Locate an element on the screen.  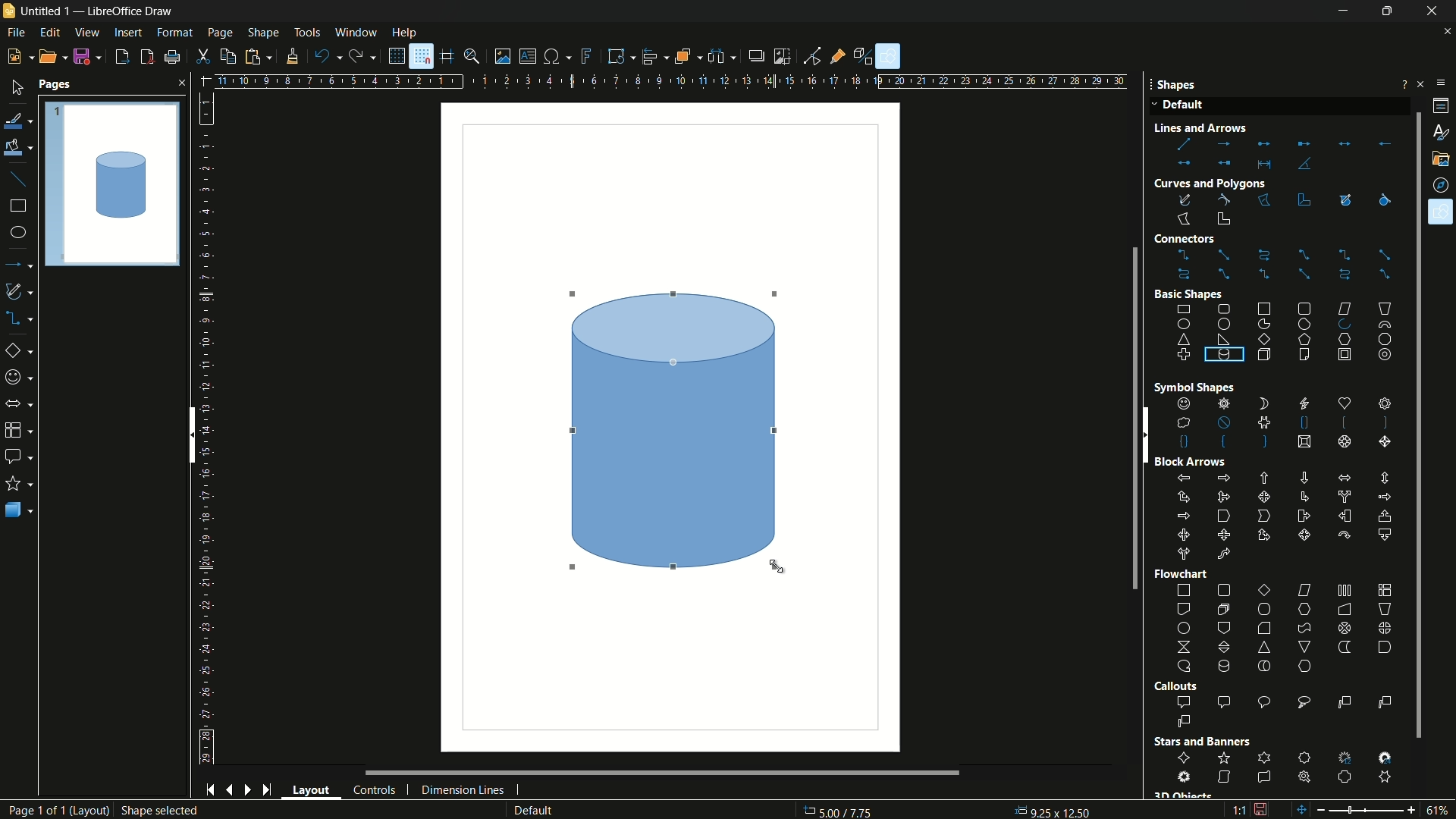
cursor is located at coordinates (575, 296).